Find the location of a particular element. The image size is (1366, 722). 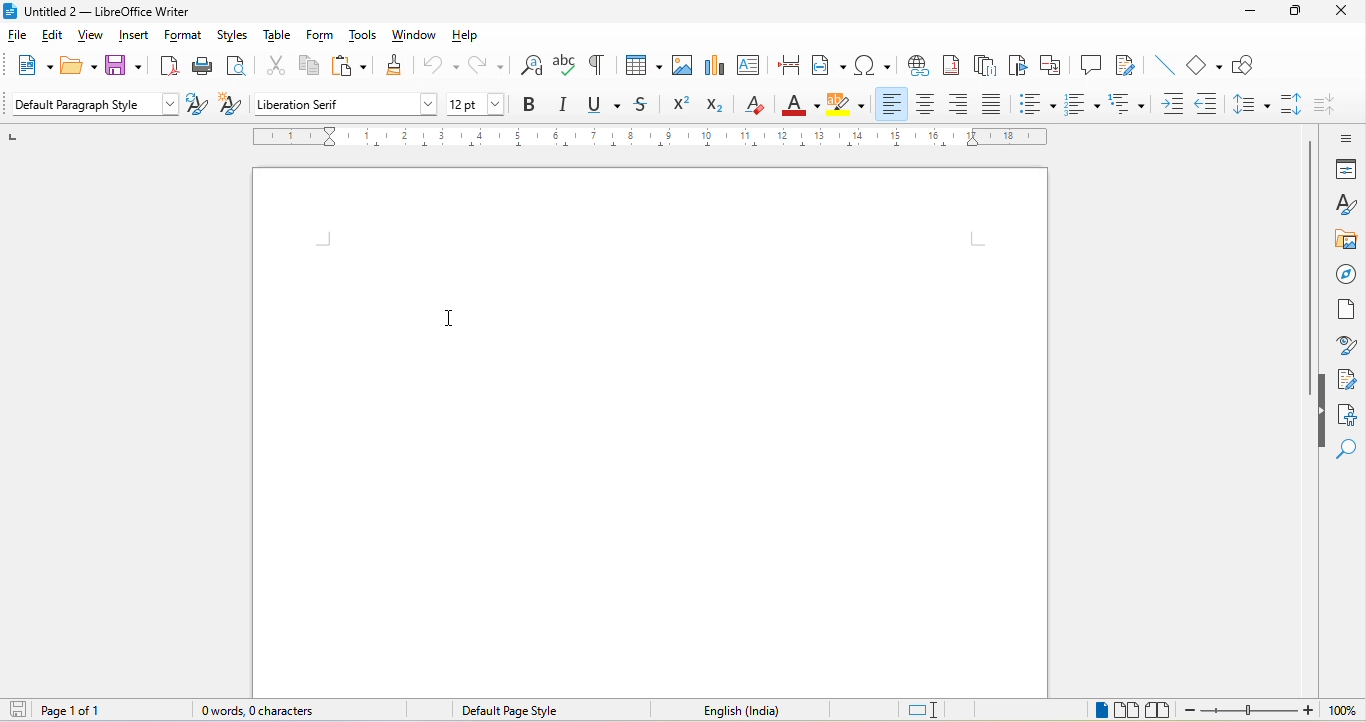

default page style is located at coordinates (522, 711).